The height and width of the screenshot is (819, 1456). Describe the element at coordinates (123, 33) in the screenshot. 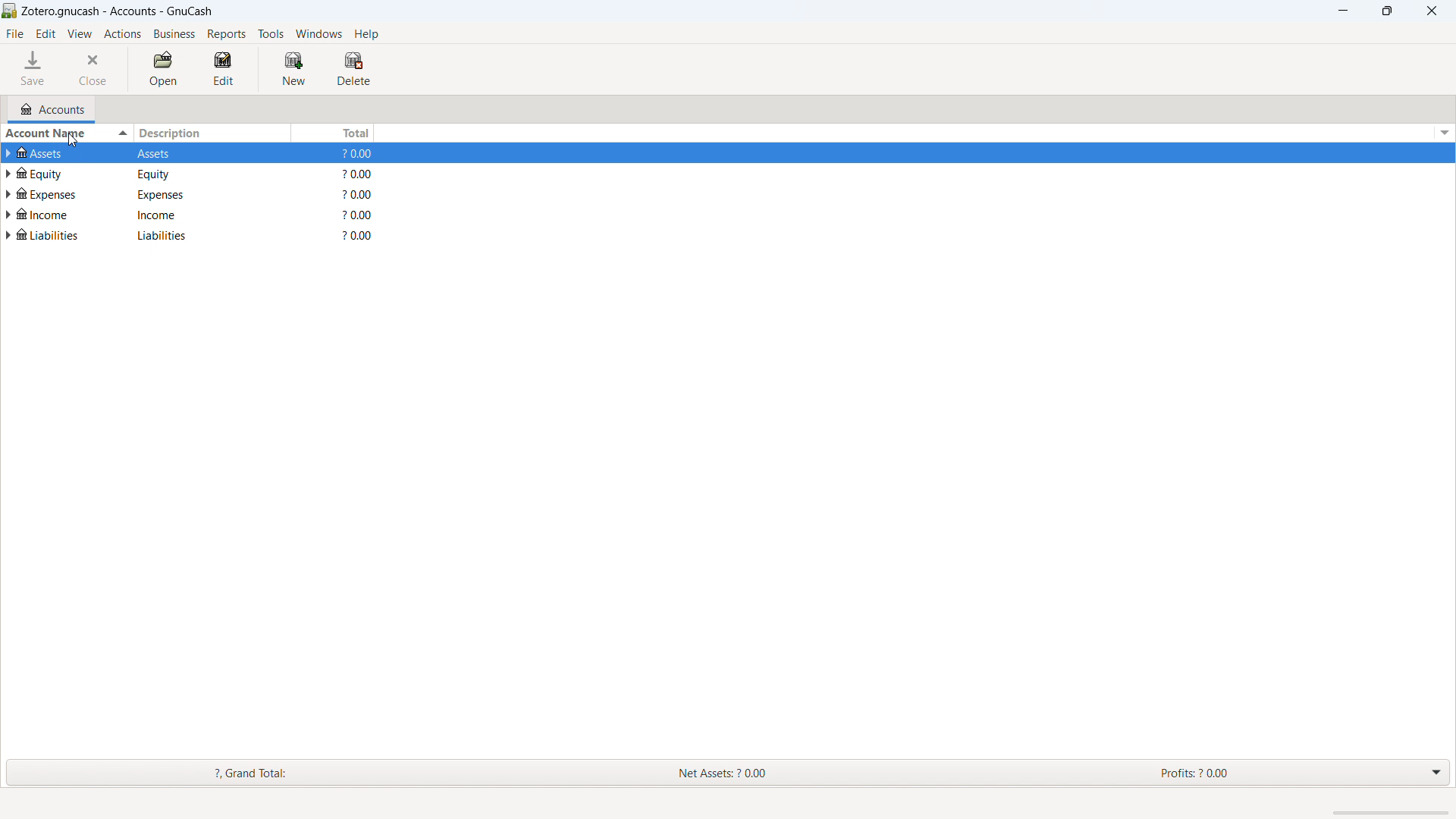

I see `actions` at that location.